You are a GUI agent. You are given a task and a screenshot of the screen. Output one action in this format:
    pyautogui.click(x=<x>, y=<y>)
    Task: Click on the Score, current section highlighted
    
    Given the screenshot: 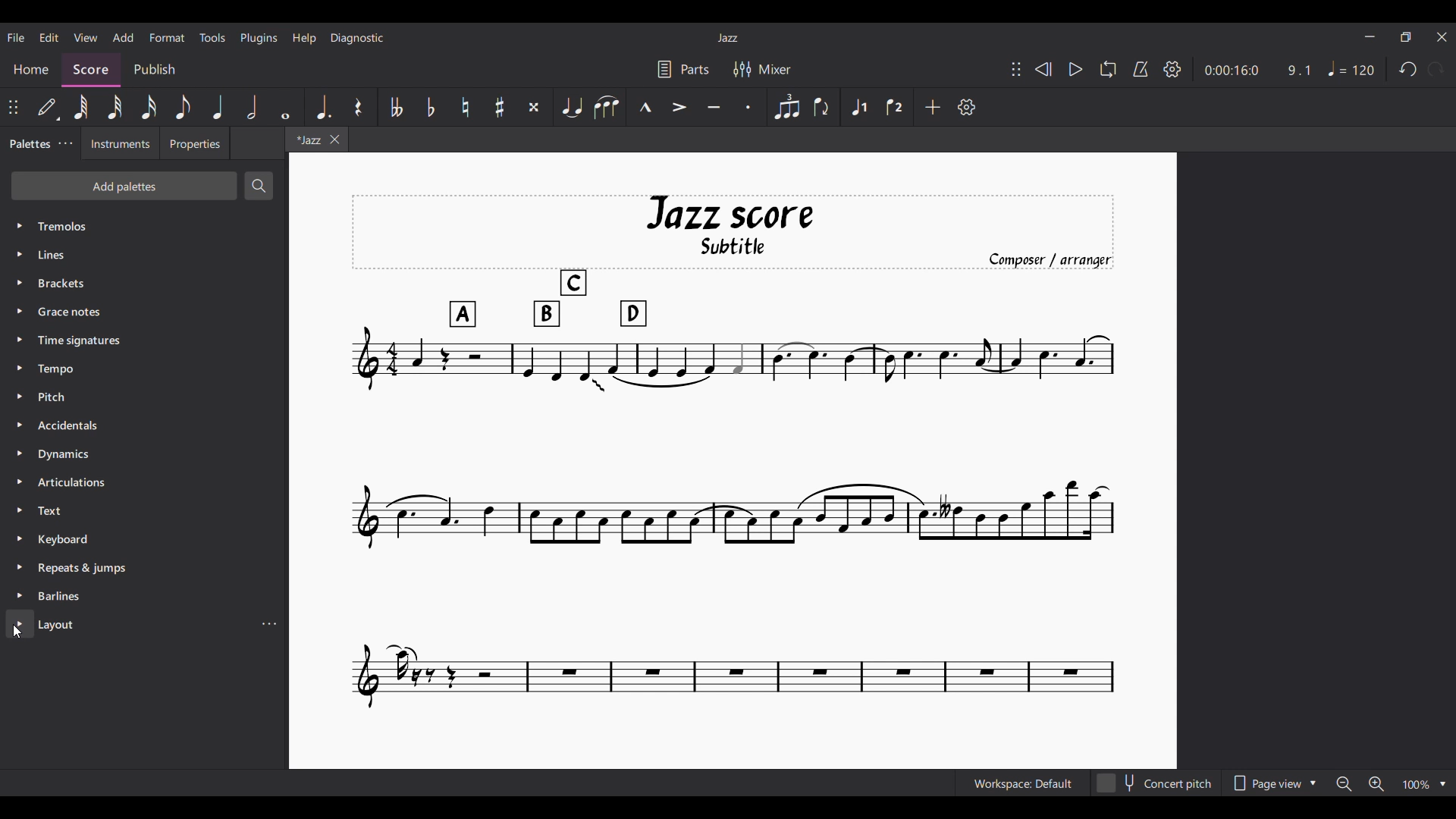 What is the action you would take?
    pyautogui.click(x=91, y=70)
    